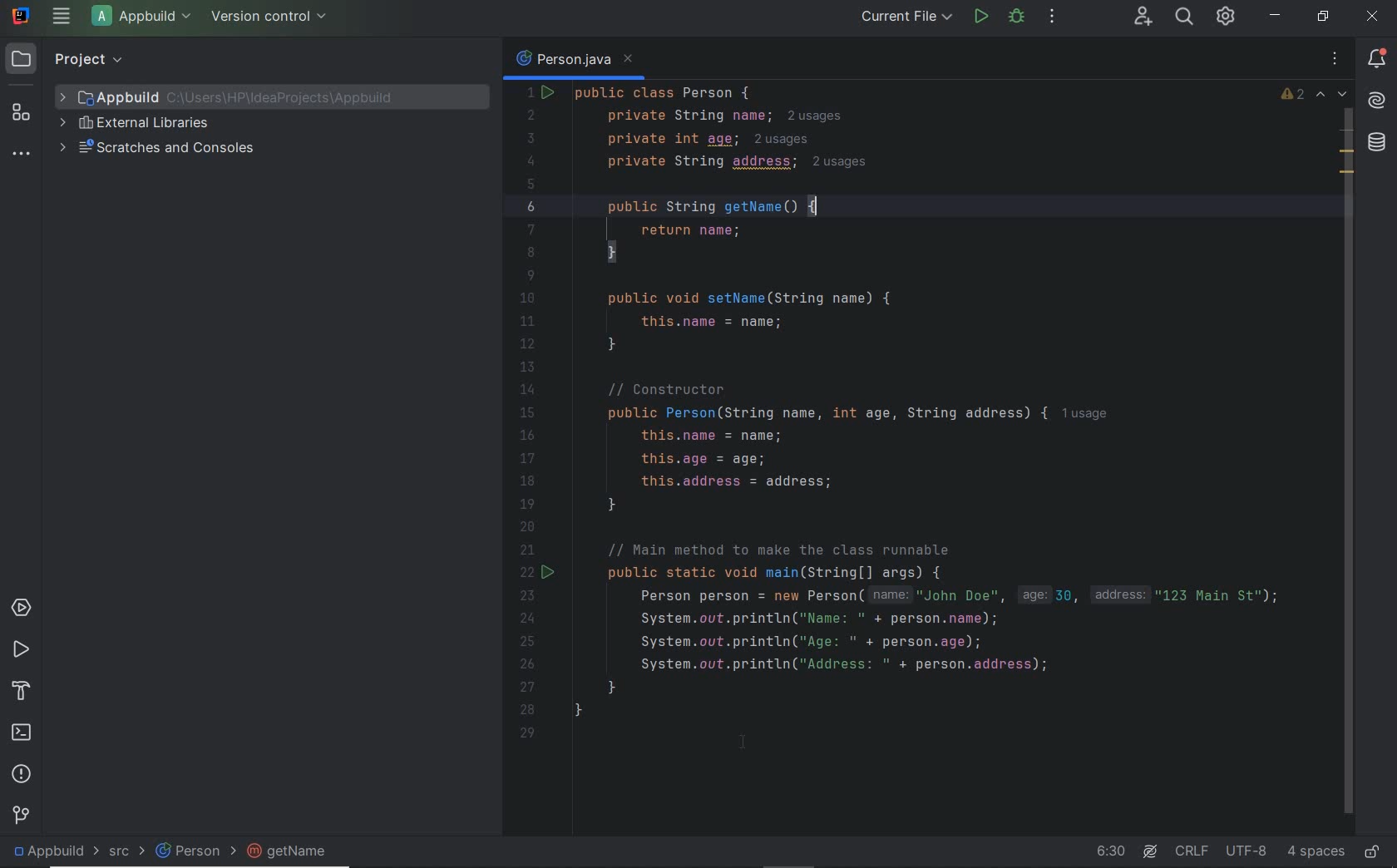 The height and width of the screenshot is (868, 1397). I want to click on more actions, so click(1052, 18).